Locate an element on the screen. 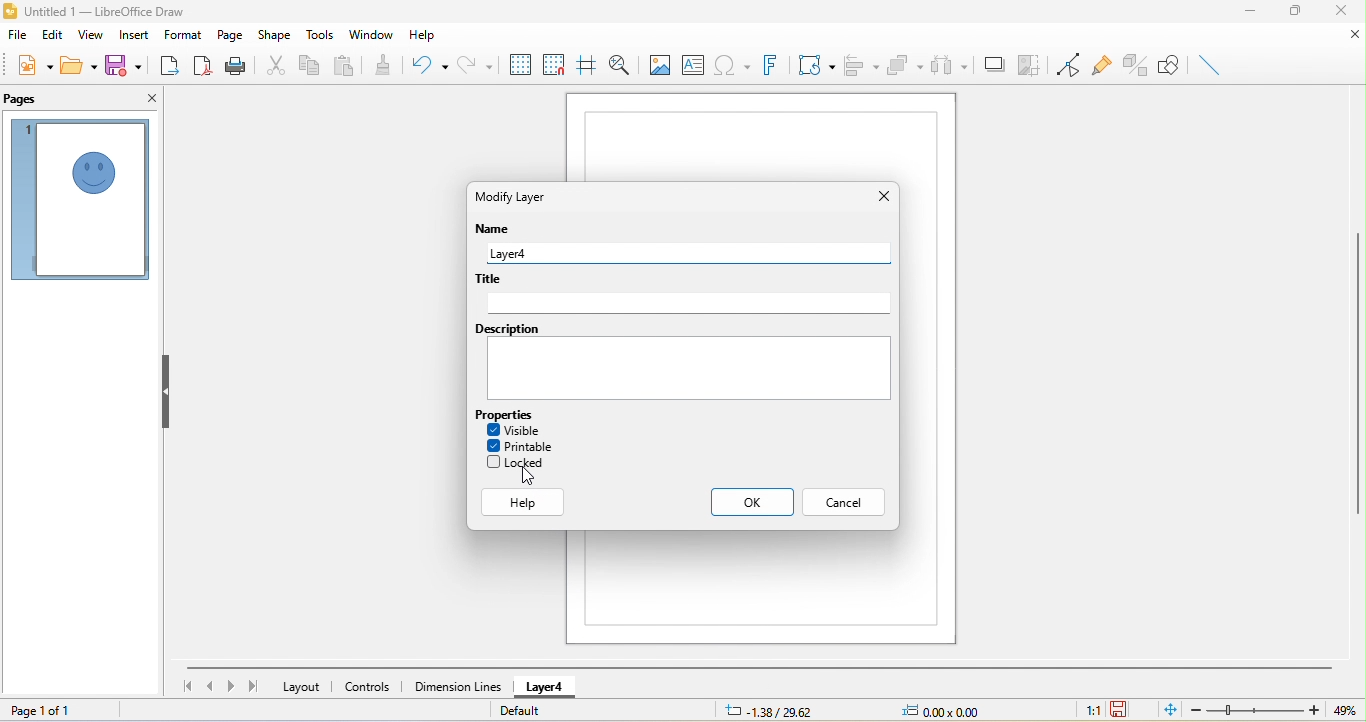  page is located at coordinates (229, 36).